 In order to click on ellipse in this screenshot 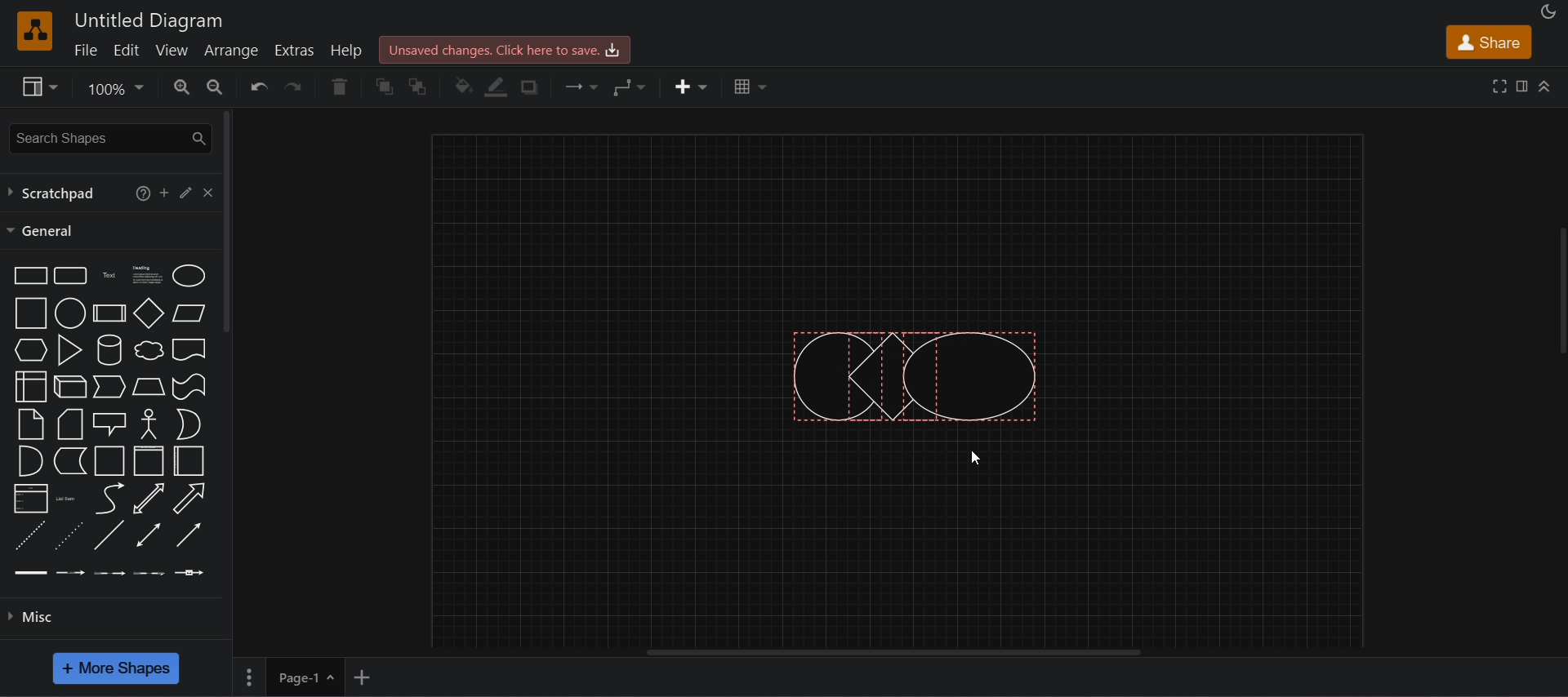, I will do `click(189, 274)`.